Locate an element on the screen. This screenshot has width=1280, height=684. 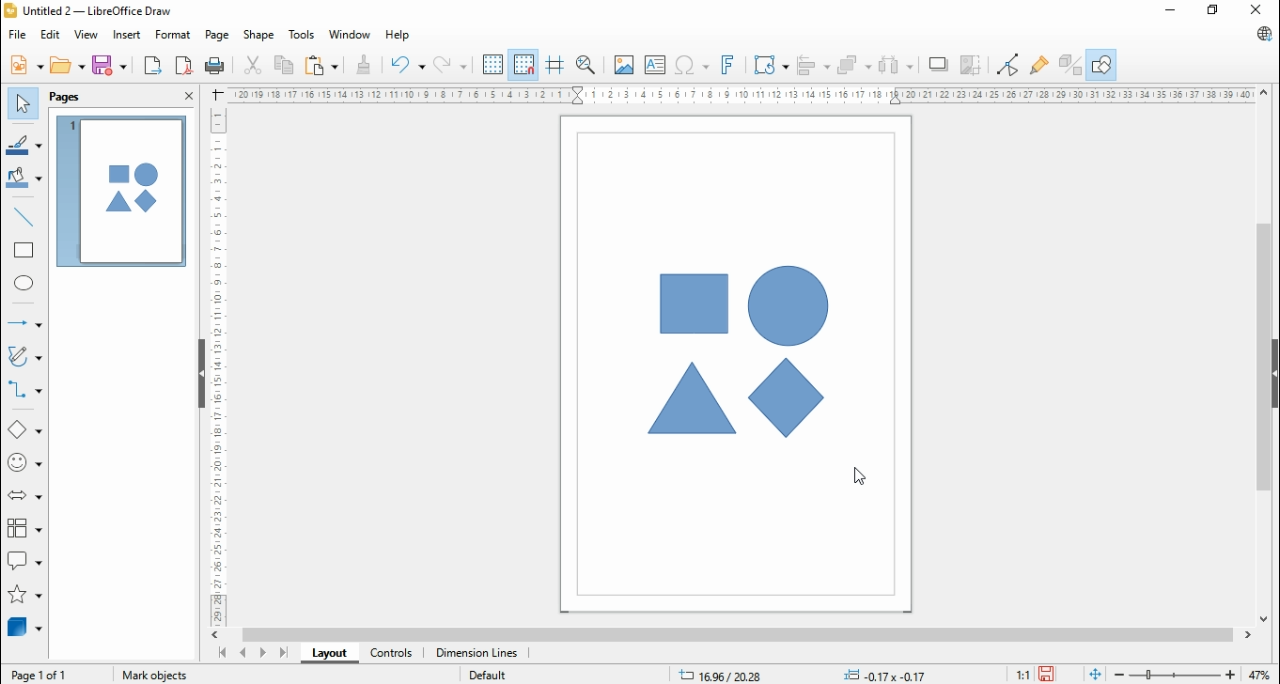
show grid is located at coordinates (493, 64).